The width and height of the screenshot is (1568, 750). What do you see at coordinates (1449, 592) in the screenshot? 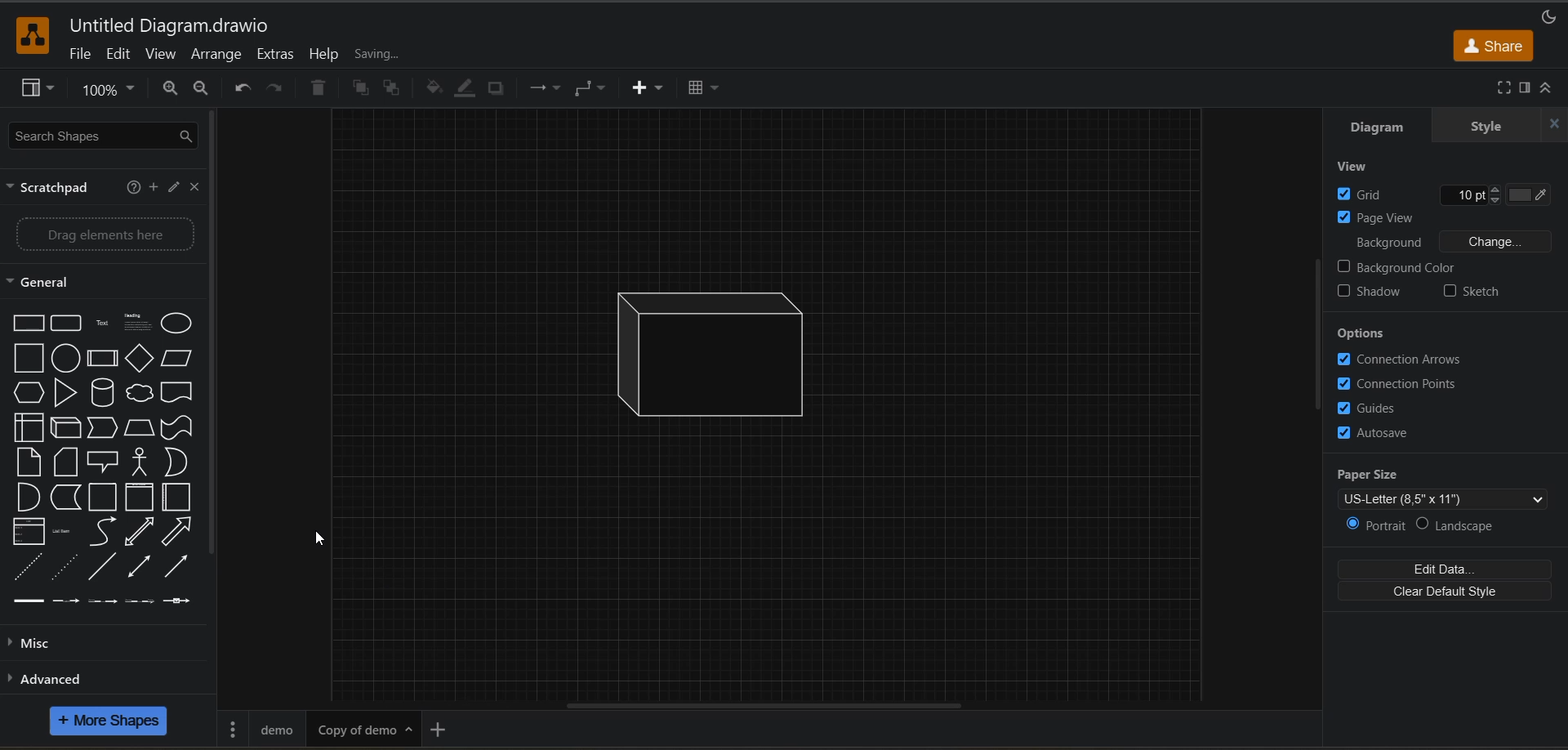
I see `clear default style` at bounding box center [1449, 592].